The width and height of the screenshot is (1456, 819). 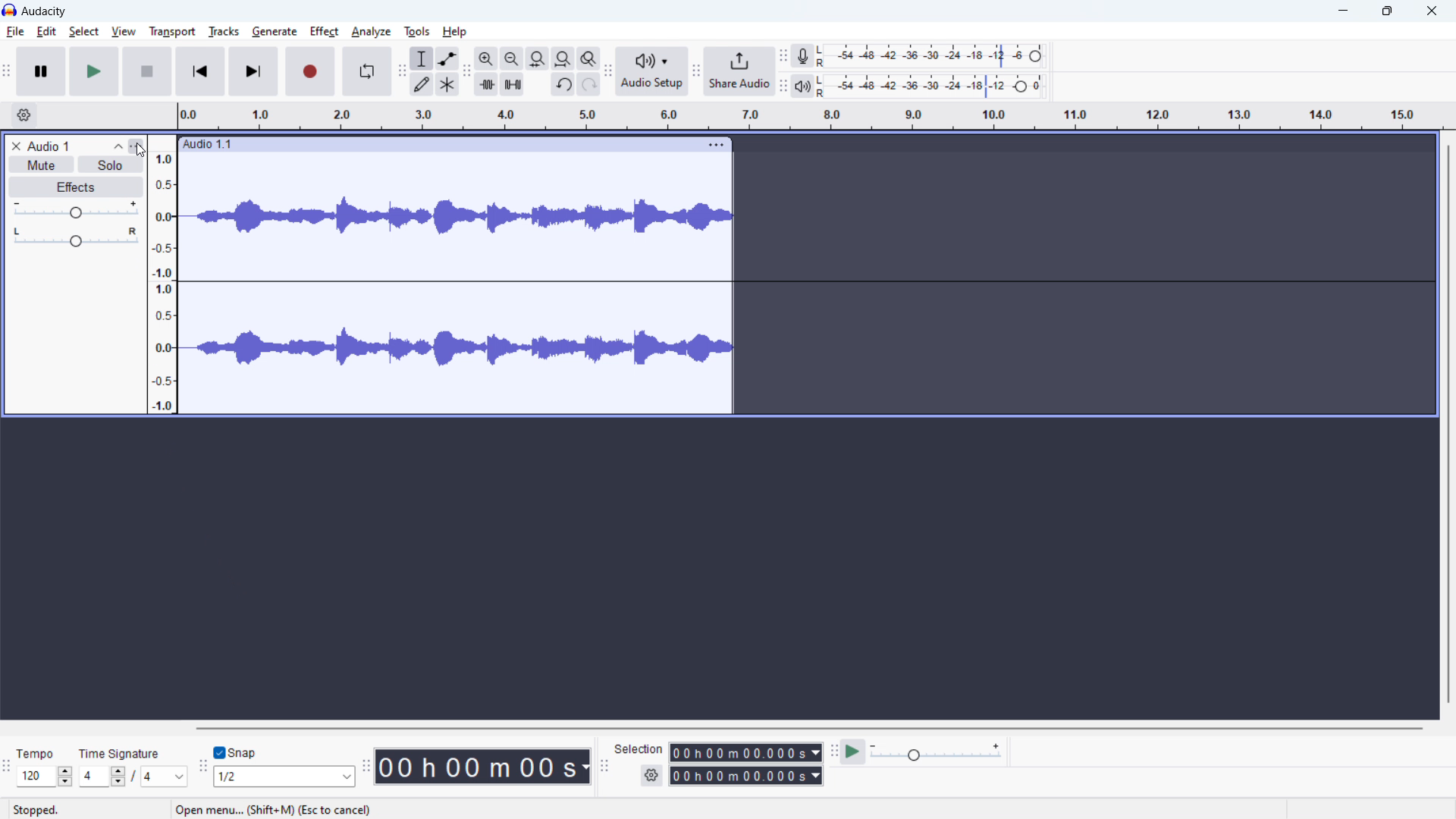 I want to click on play, so click(x=95, y=71).